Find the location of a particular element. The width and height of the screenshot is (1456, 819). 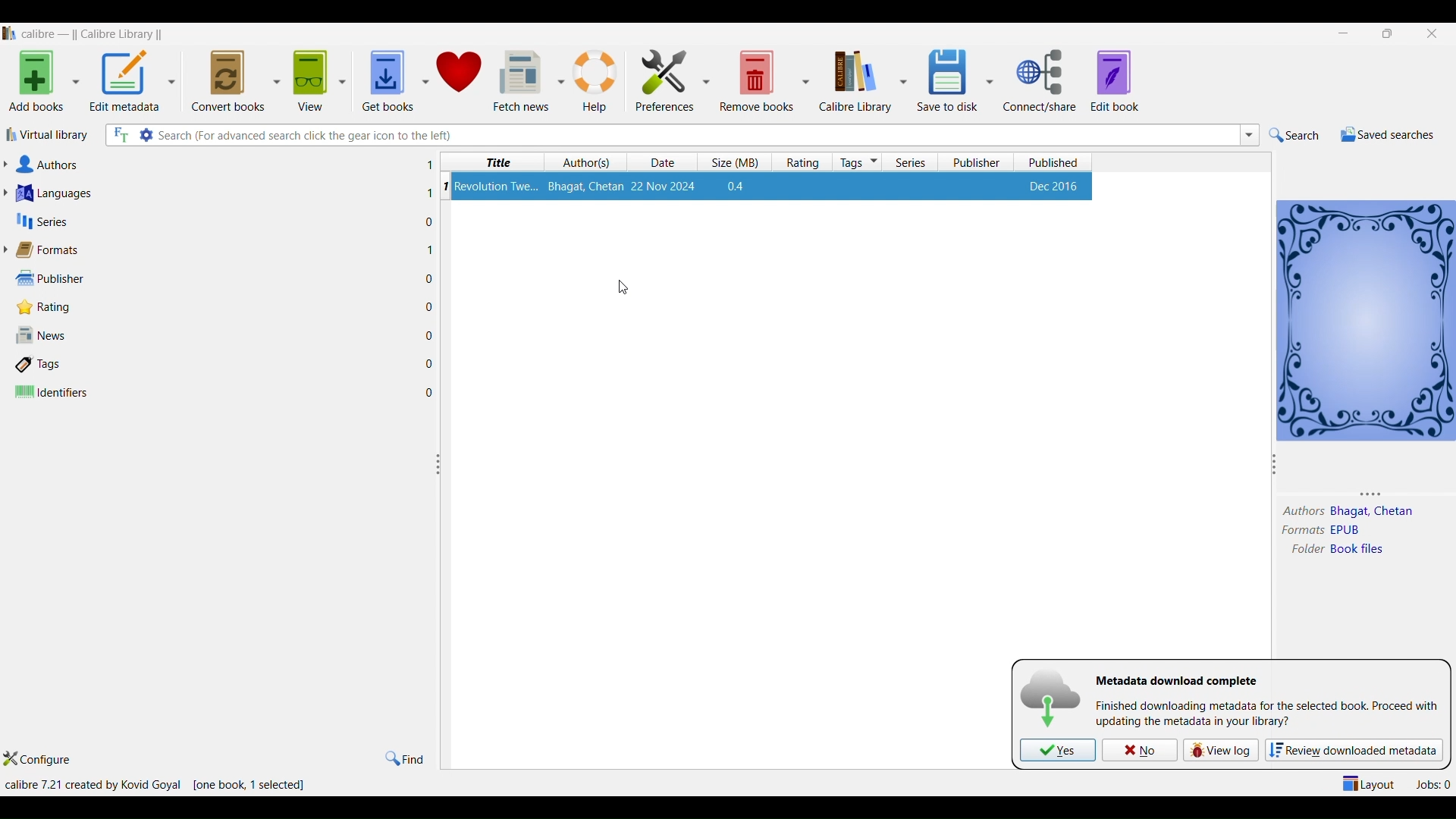

publisher is located at coordinates (981, 162).